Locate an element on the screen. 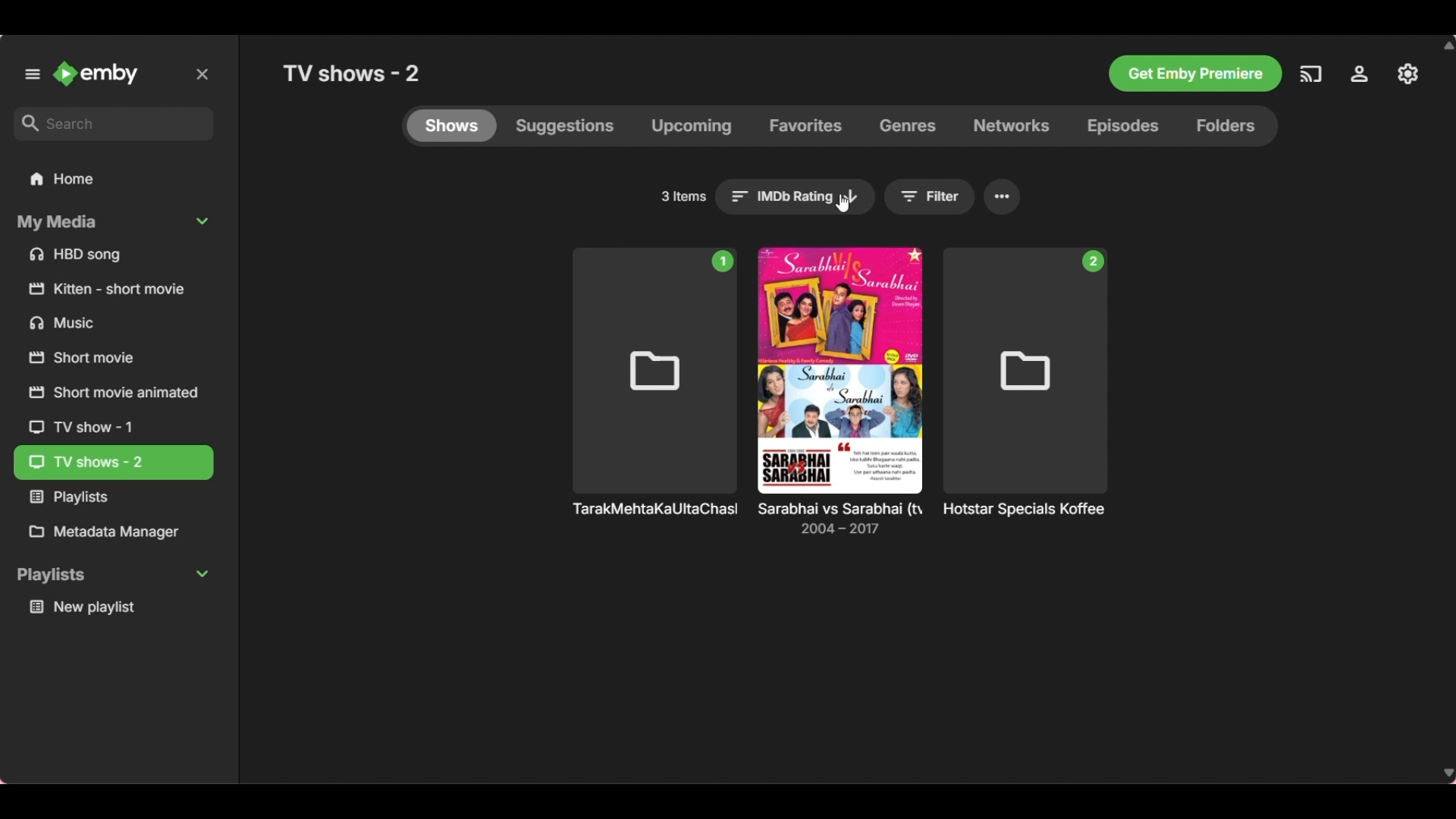 The height and width of the screenshot is (819, 1456).  is located at coordinates (654, 386).